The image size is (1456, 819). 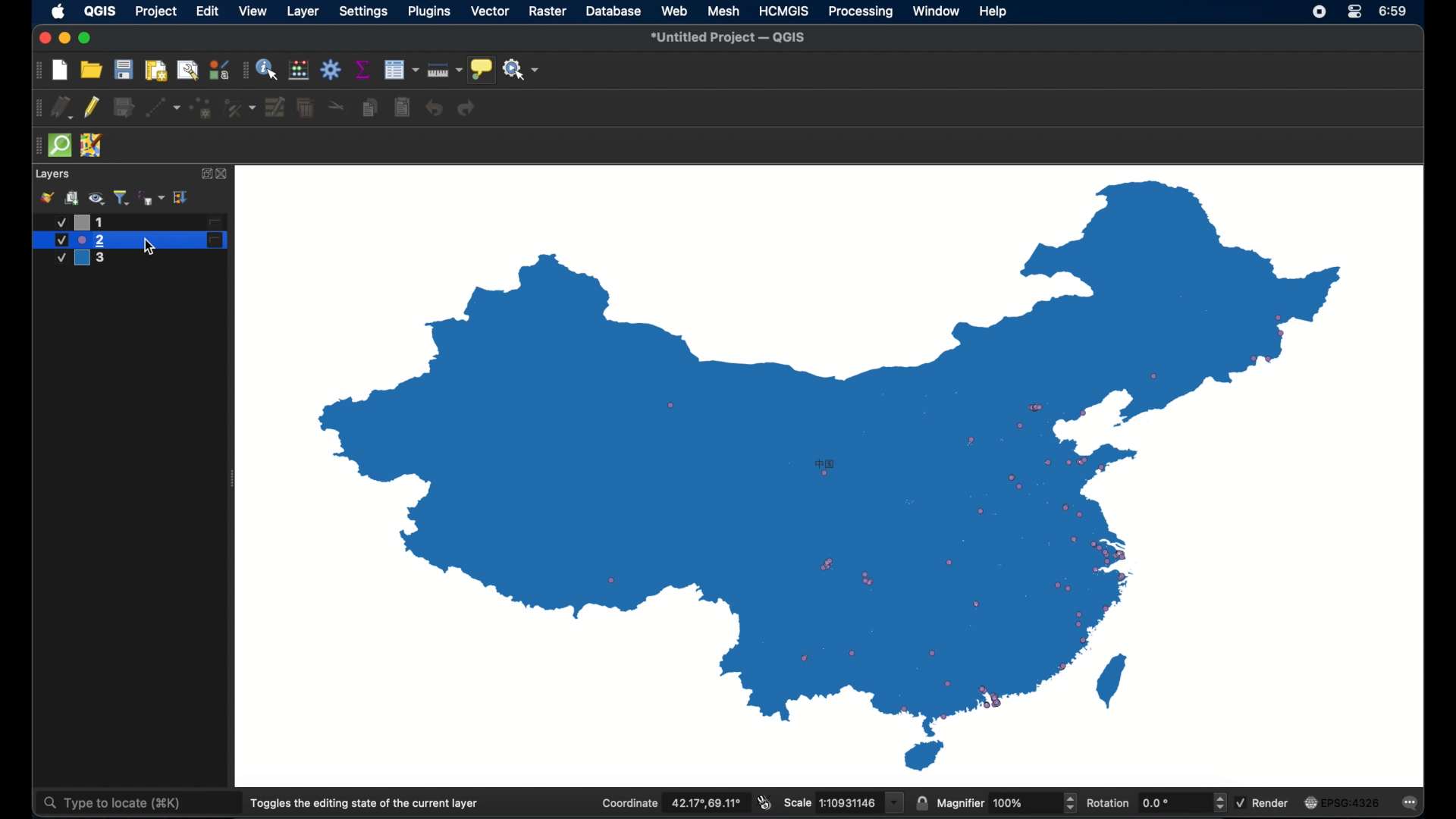 What do you see at coordinates (187, 71) in the screenshot?
I see `open layout manager` at bounding box center [187, 71].